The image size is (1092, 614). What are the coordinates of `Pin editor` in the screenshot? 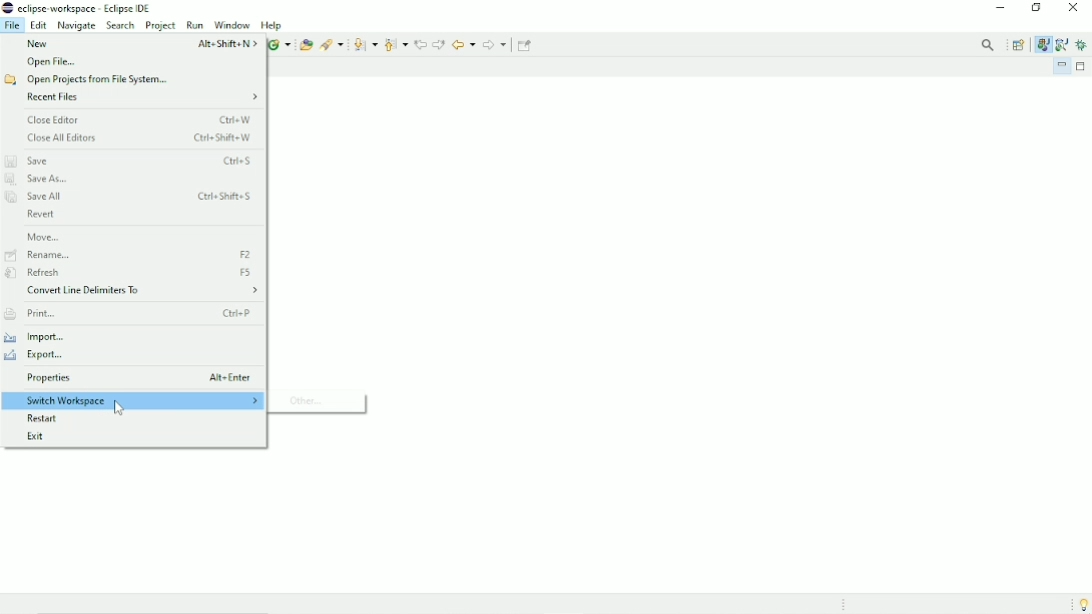 It's located at (526, 45).